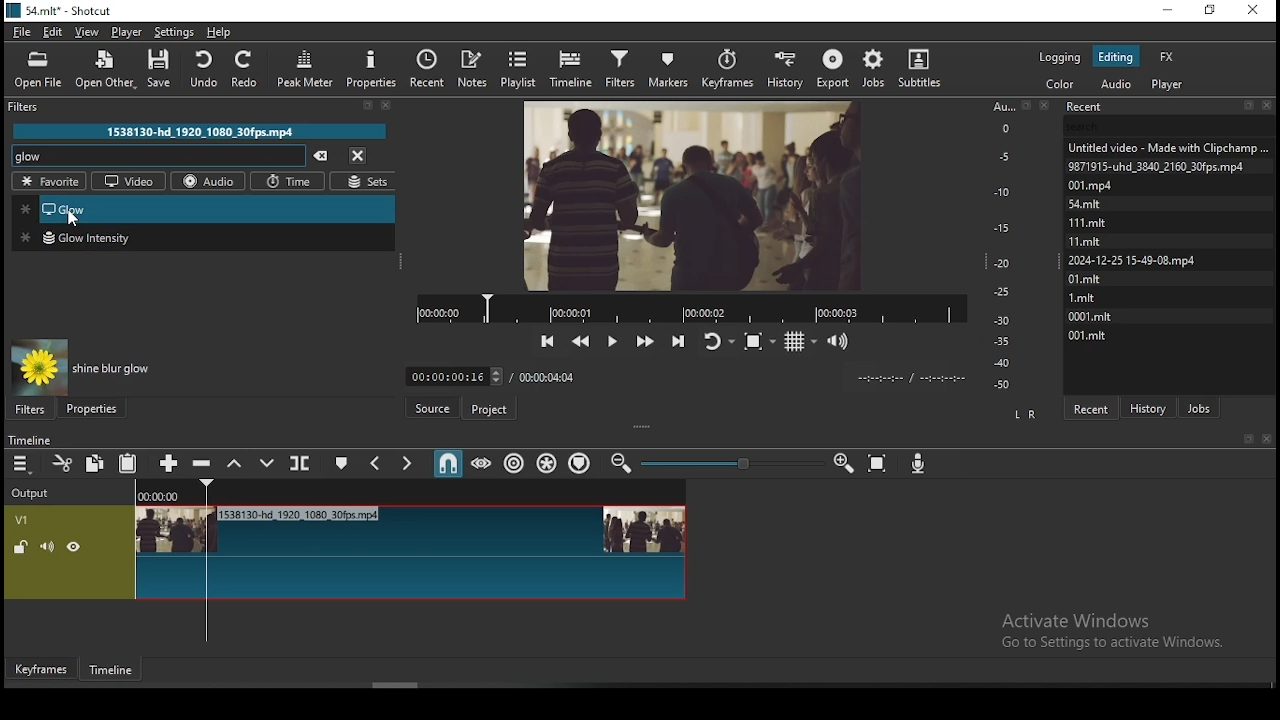  Describe the element at coordinates (924, 67) in the screenshot. I see `subtitles` at that location.